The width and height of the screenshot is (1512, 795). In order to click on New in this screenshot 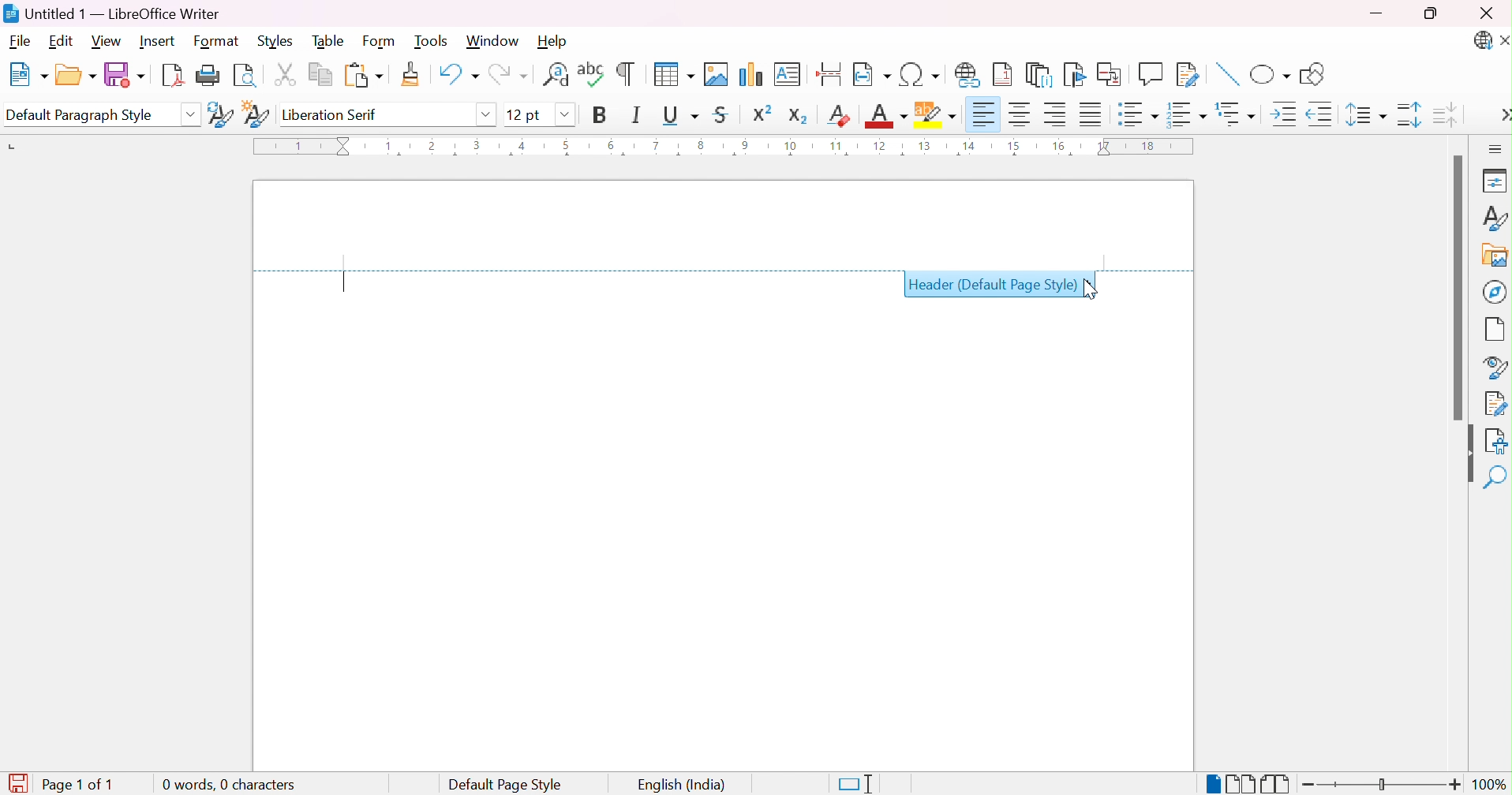, I will do `click(32, 74)`.